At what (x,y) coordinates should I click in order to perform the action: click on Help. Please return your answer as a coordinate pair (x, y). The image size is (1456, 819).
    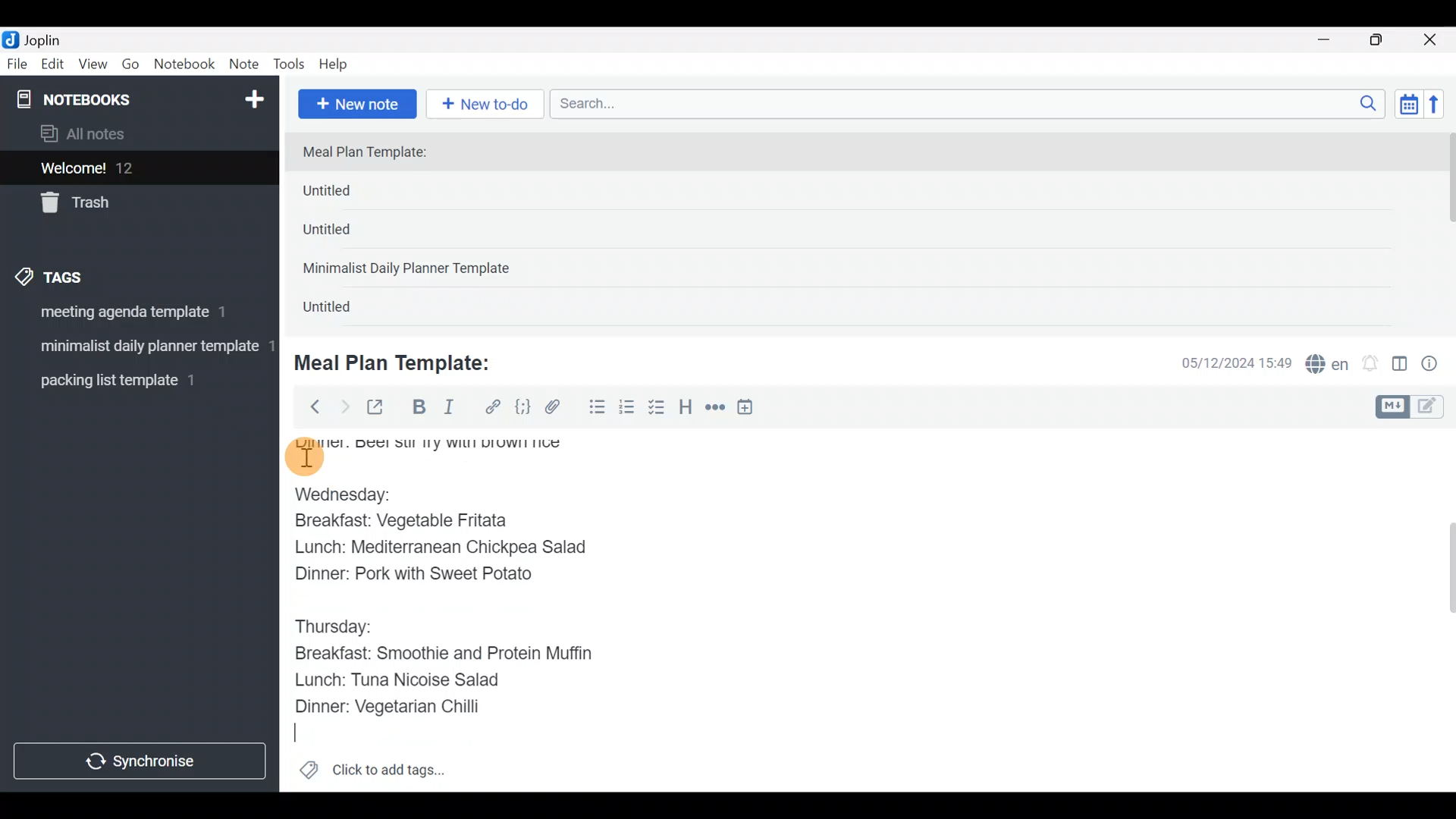
    Looking at the image, I should click on (339, 61).